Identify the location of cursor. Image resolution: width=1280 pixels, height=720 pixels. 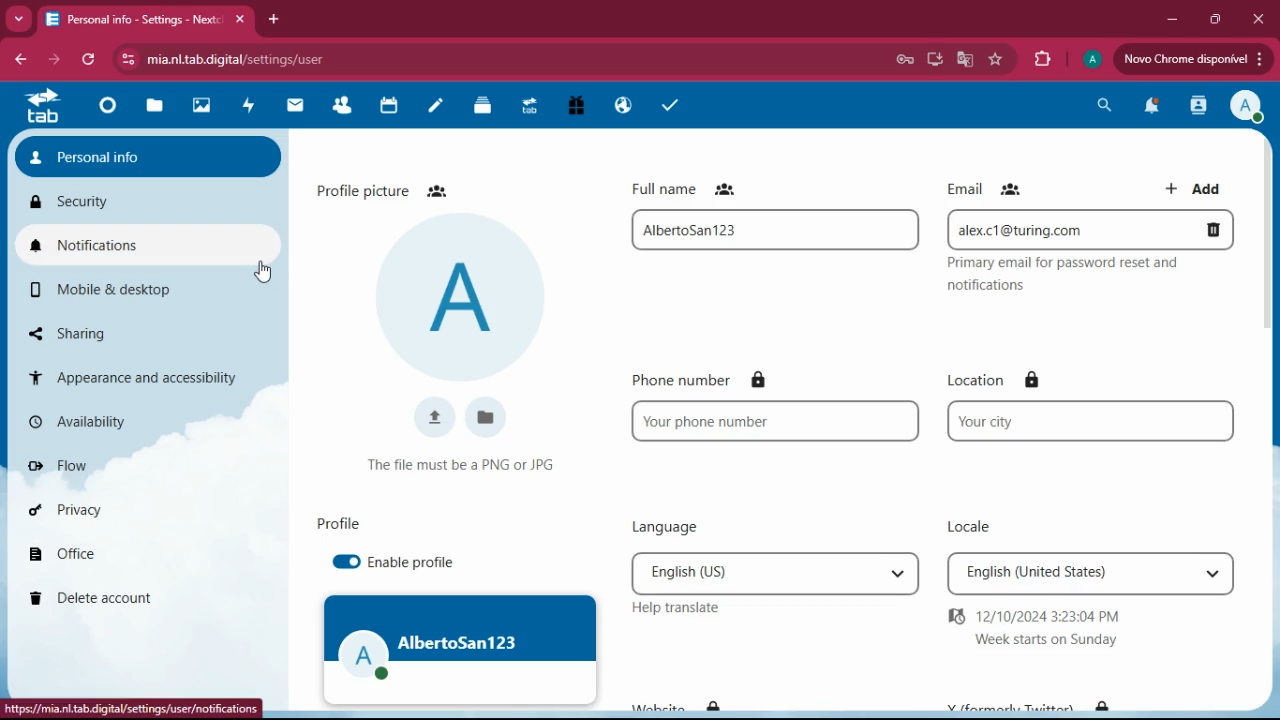
(262, 271).